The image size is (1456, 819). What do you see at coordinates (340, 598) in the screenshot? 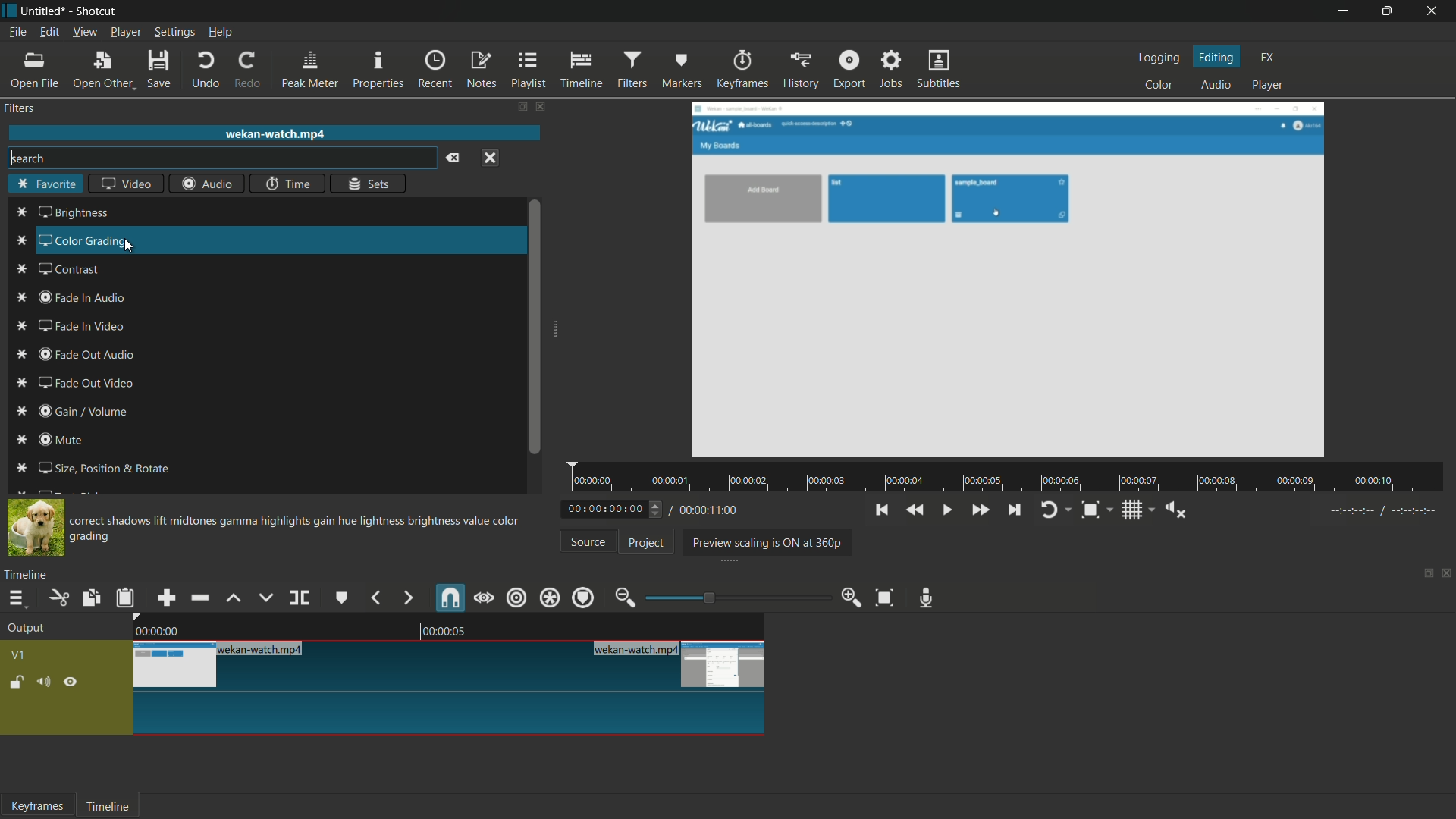
I see `create or edit marker` at bounding box center [340, 598].